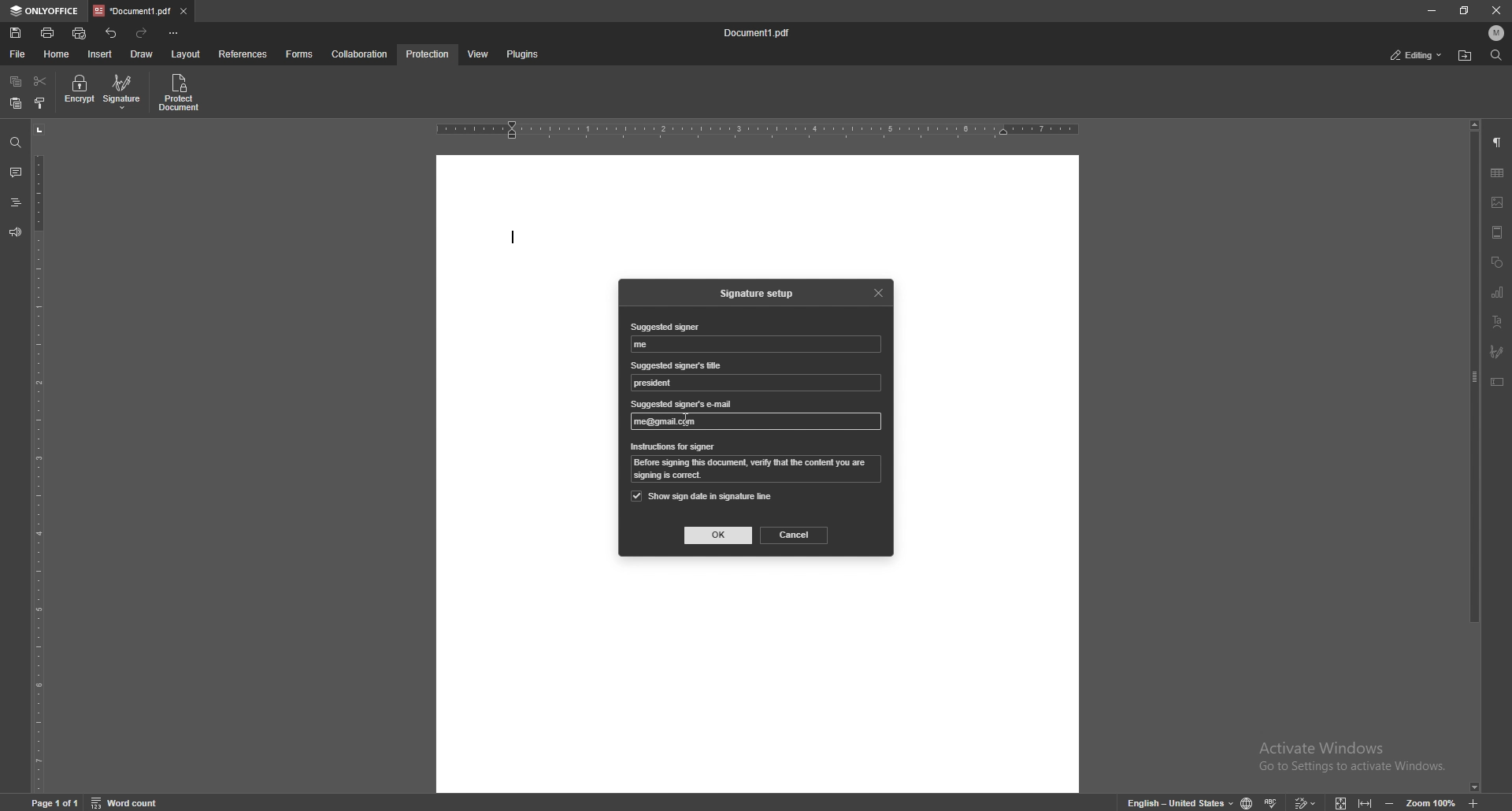 The width and height of the screenshot is (1512, 811). Describe the element at coordinates (301, 54) in the screenshot. I see `forms` at that location.